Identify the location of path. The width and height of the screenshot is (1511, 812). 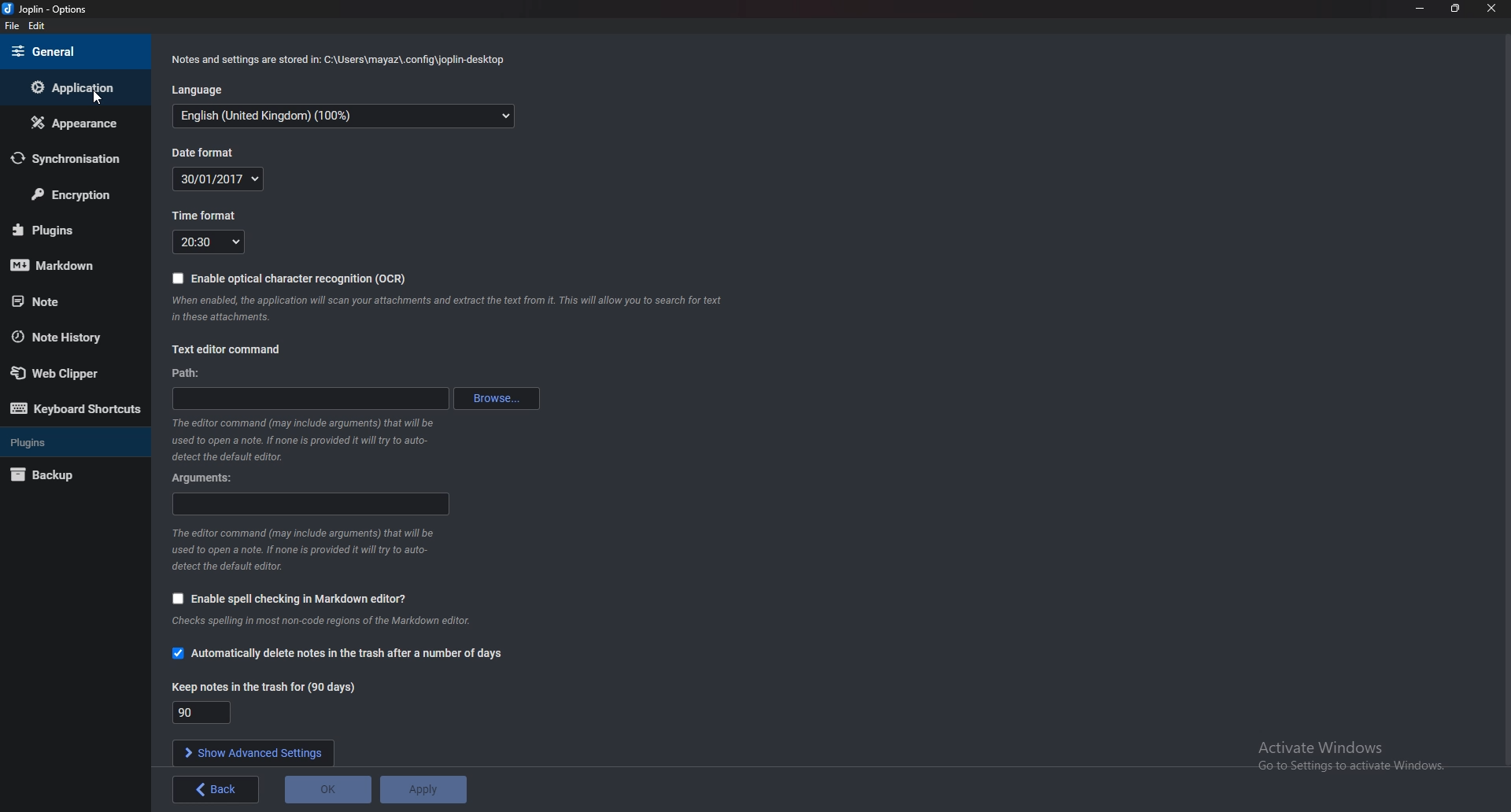
(312, 398).